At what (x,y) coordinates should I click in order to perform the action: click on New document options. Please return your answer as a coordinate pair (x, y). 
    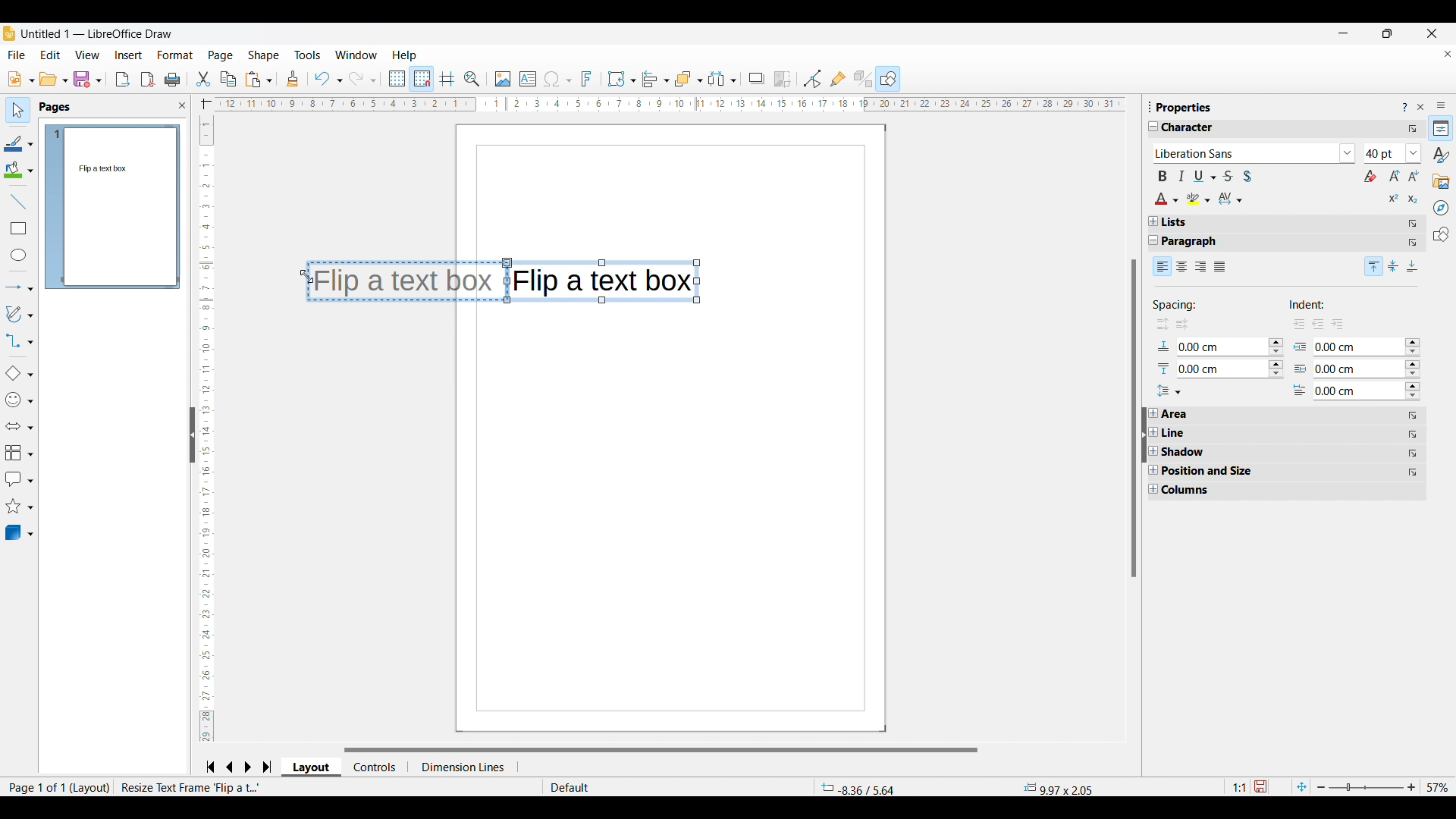
    Looking at the image, I should click on (21, 79).